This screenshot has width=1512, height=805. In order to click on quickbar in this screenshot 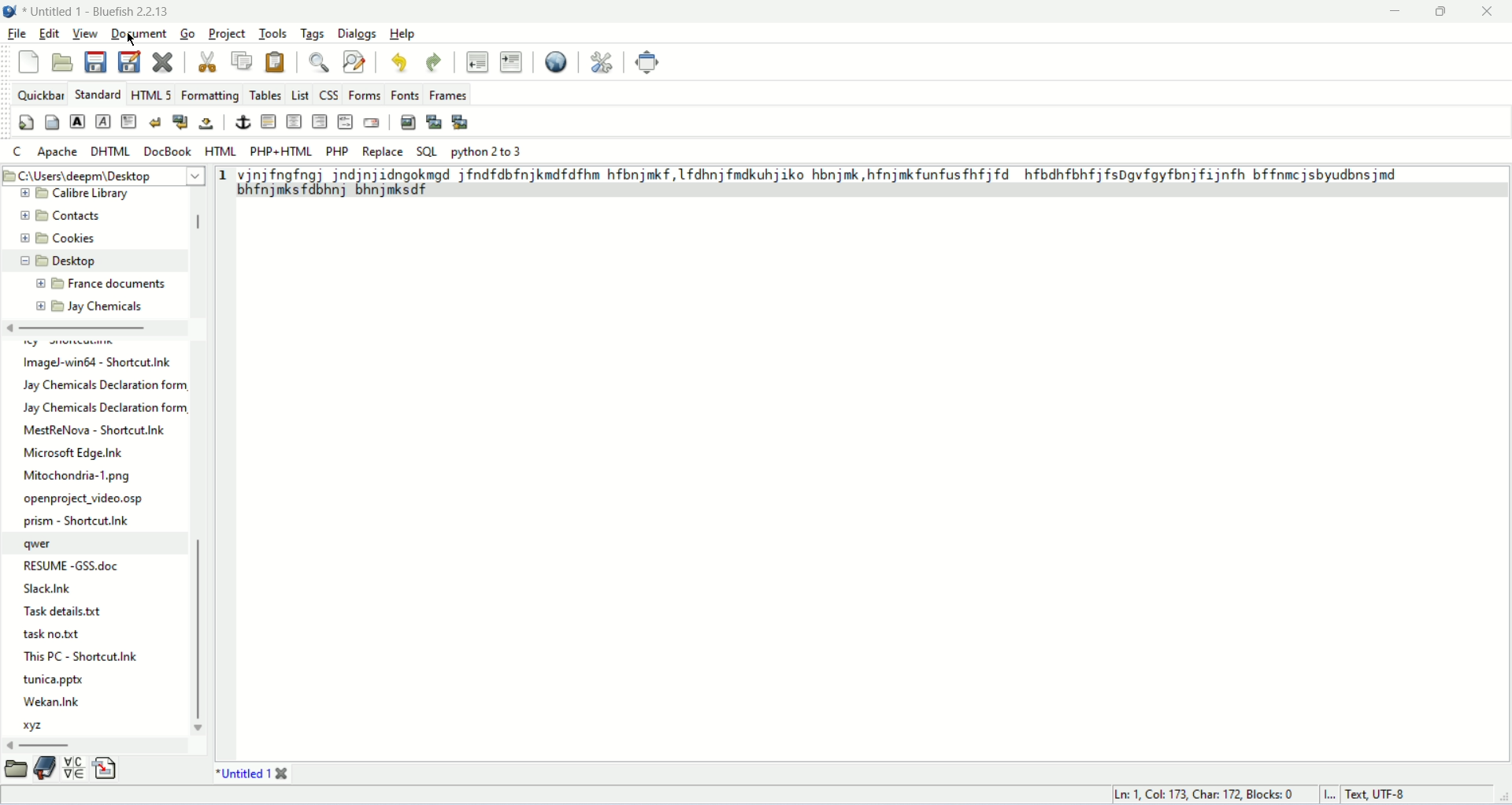, I will do `click(38, 94)`.